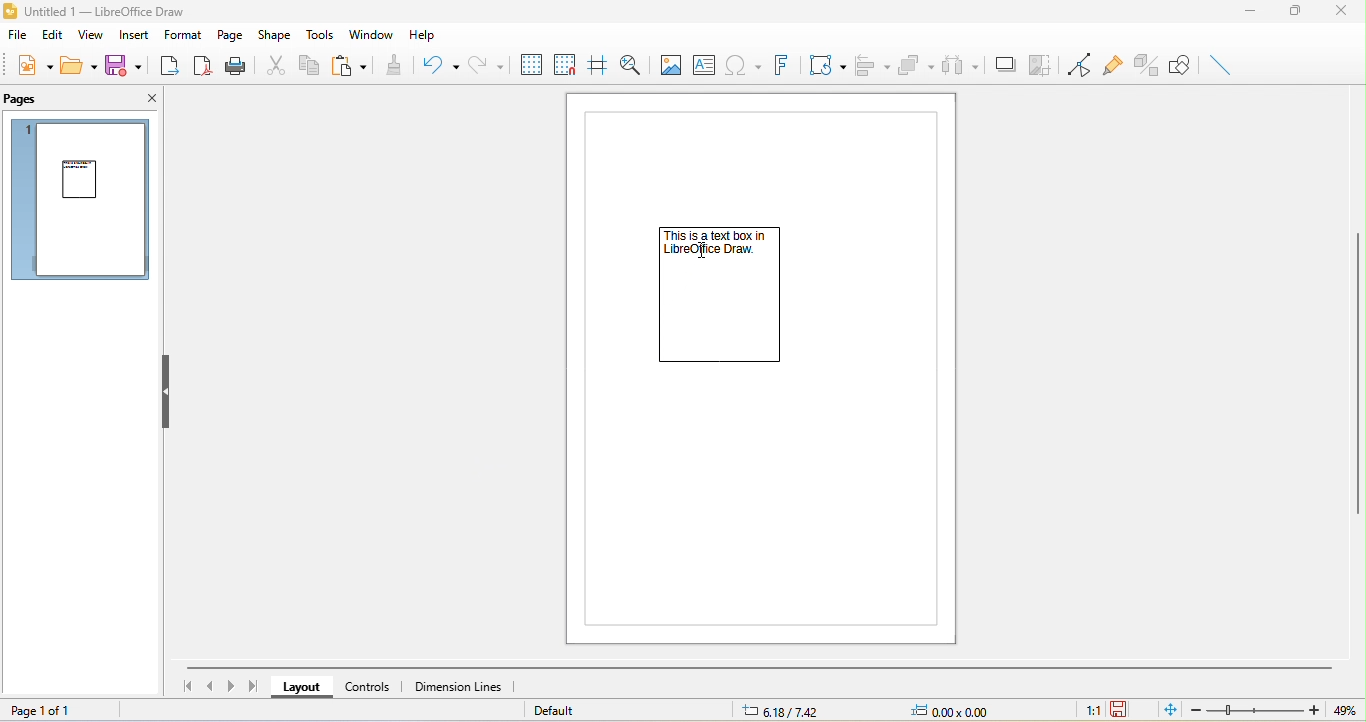 This screenshot has width=1366, height=722. What do you see at coordinates (712, 297) in the screenshot?
I see `text box ` at bounding box center [712, 297].